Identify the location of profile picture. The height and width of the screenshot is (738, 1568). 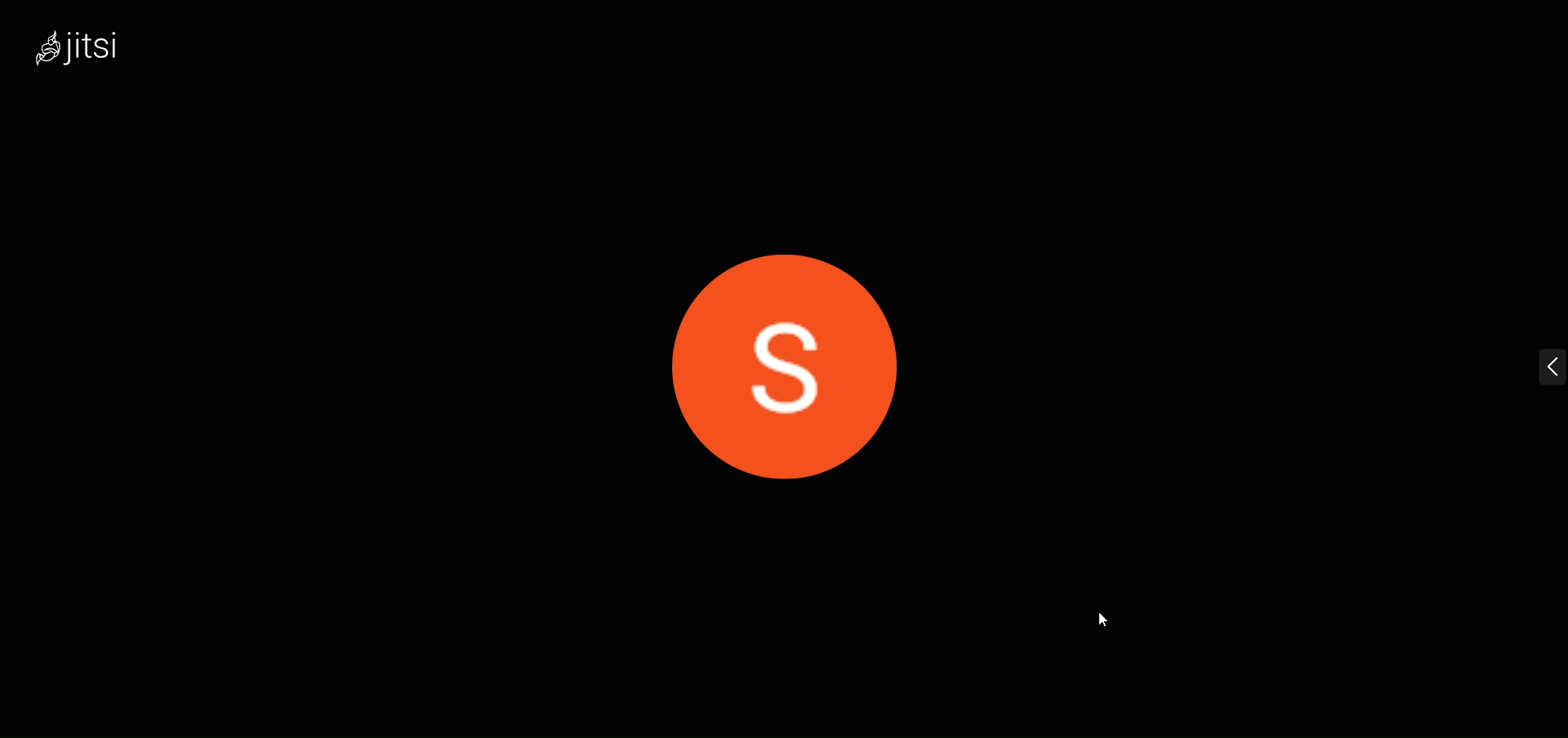
(782, 337).